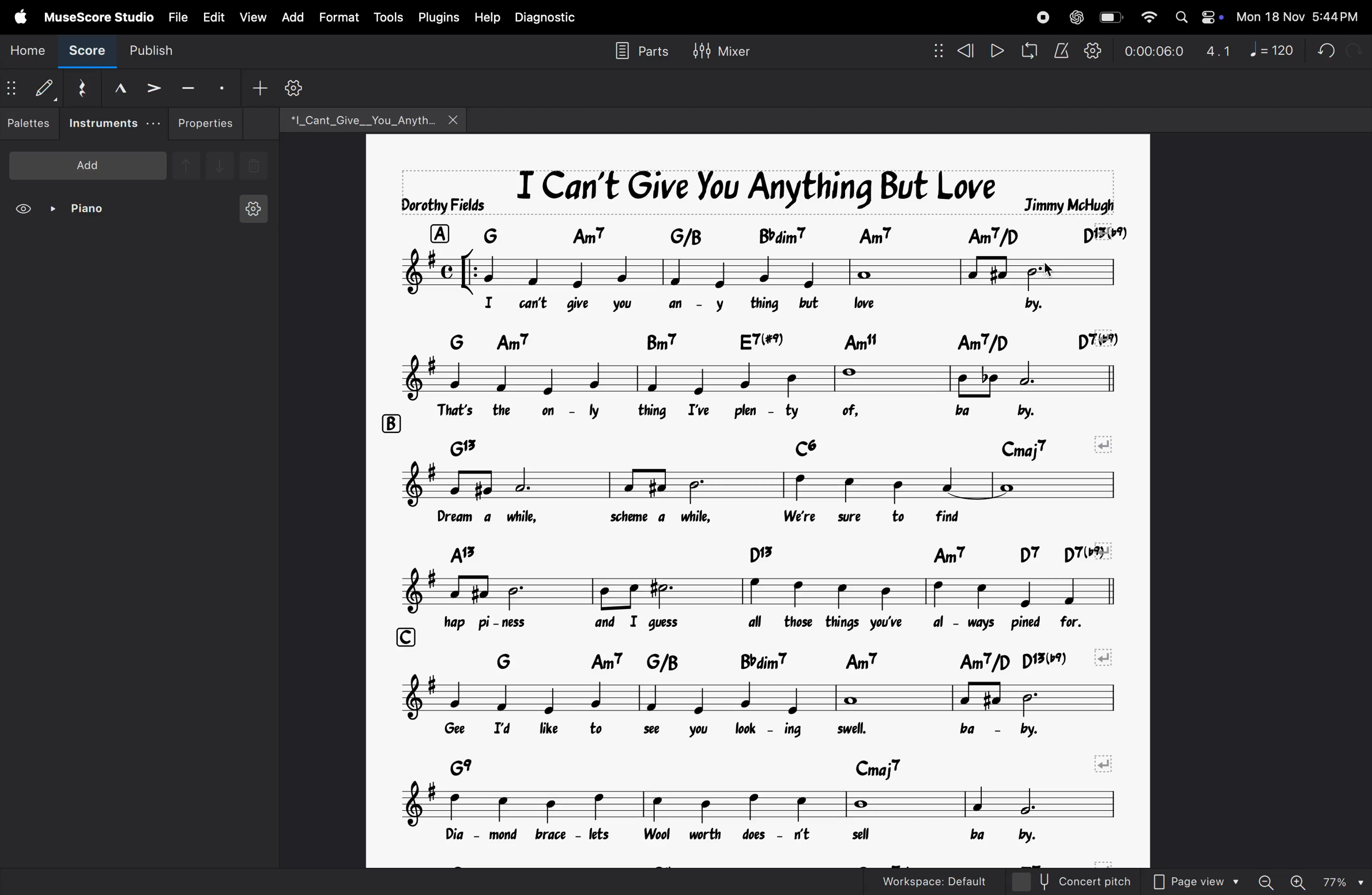 Image resolution: width=1372 pixels, height=895 pixels. Describe the element at coordinates (84, 54) in the screenshot. I see `score` at that location.